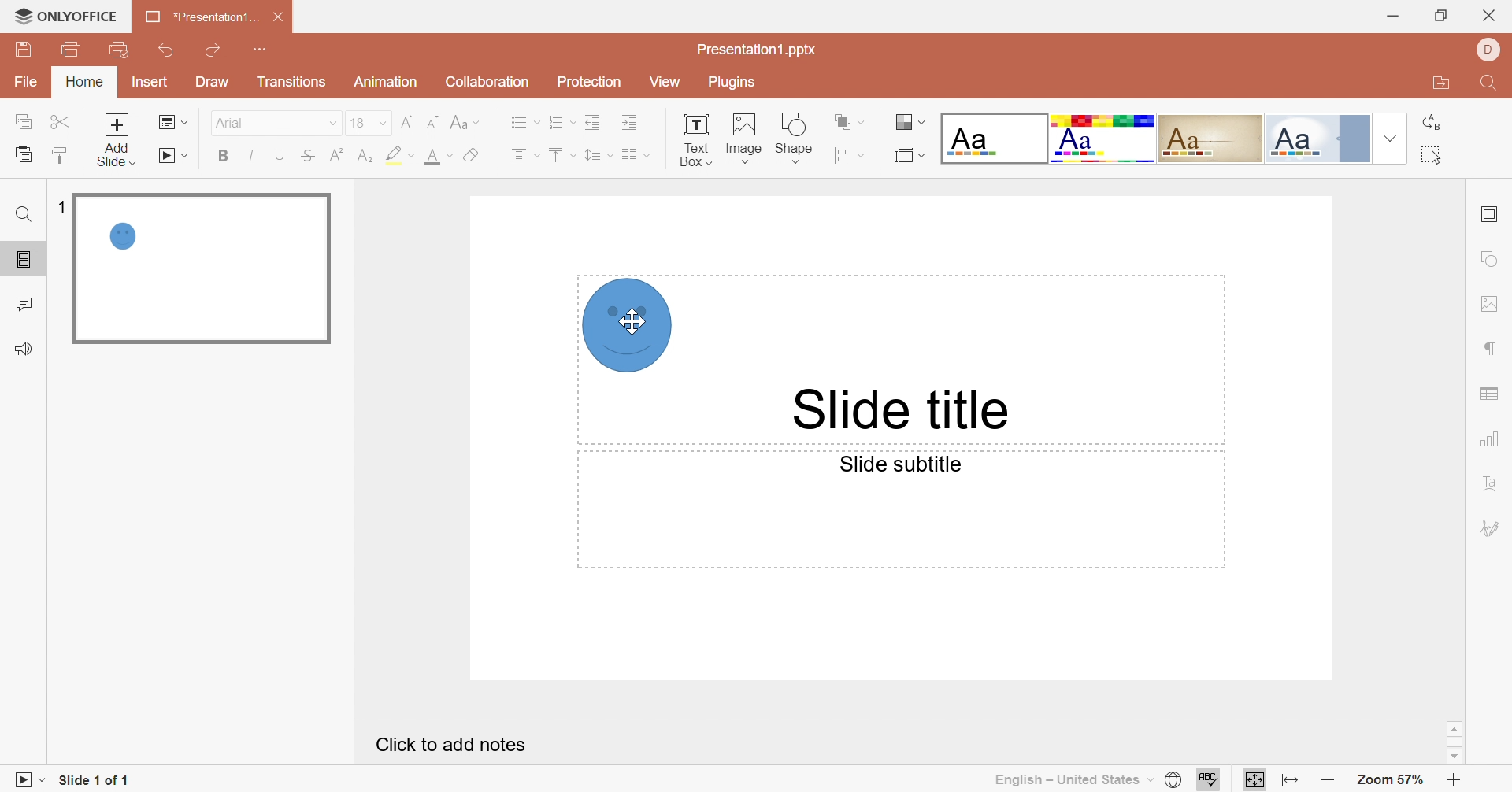 The height and width of the screenshot is (792, 1512). Describe the element at coordinates (224, 157) in the screenshot. I see `Bold` at that location.